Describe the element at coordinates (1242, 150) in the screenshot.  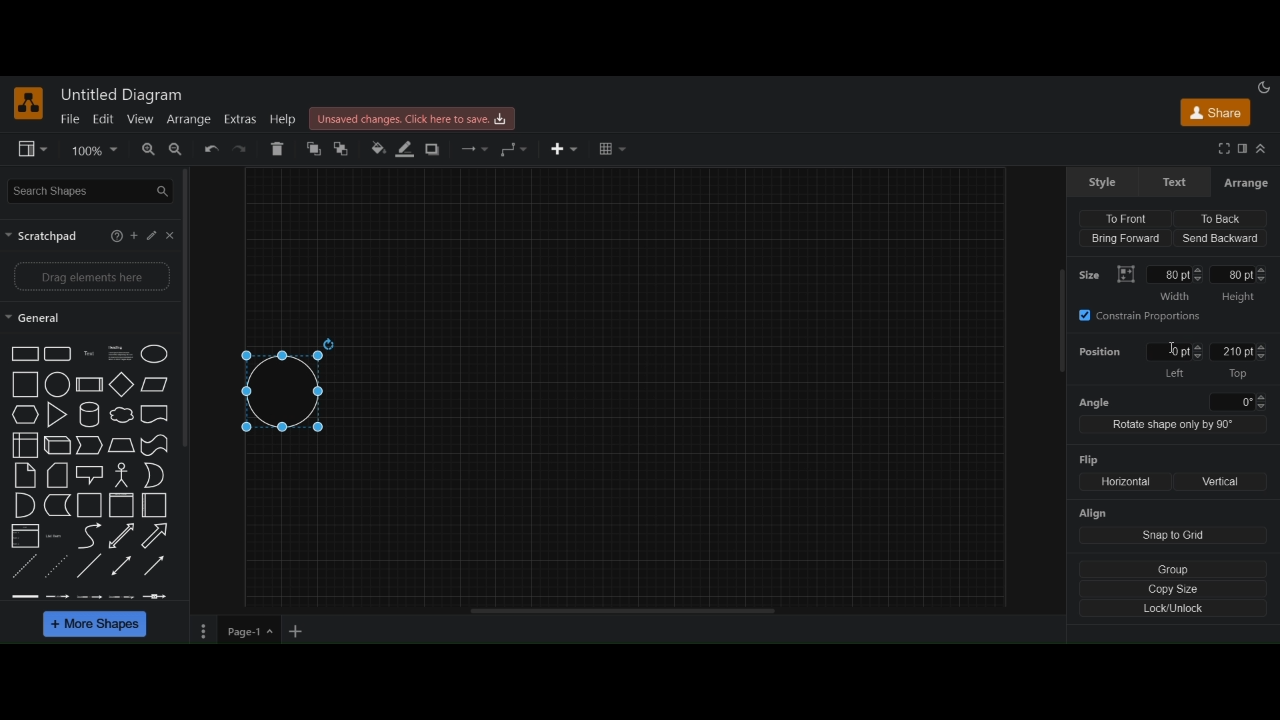
I see `format` at that location.